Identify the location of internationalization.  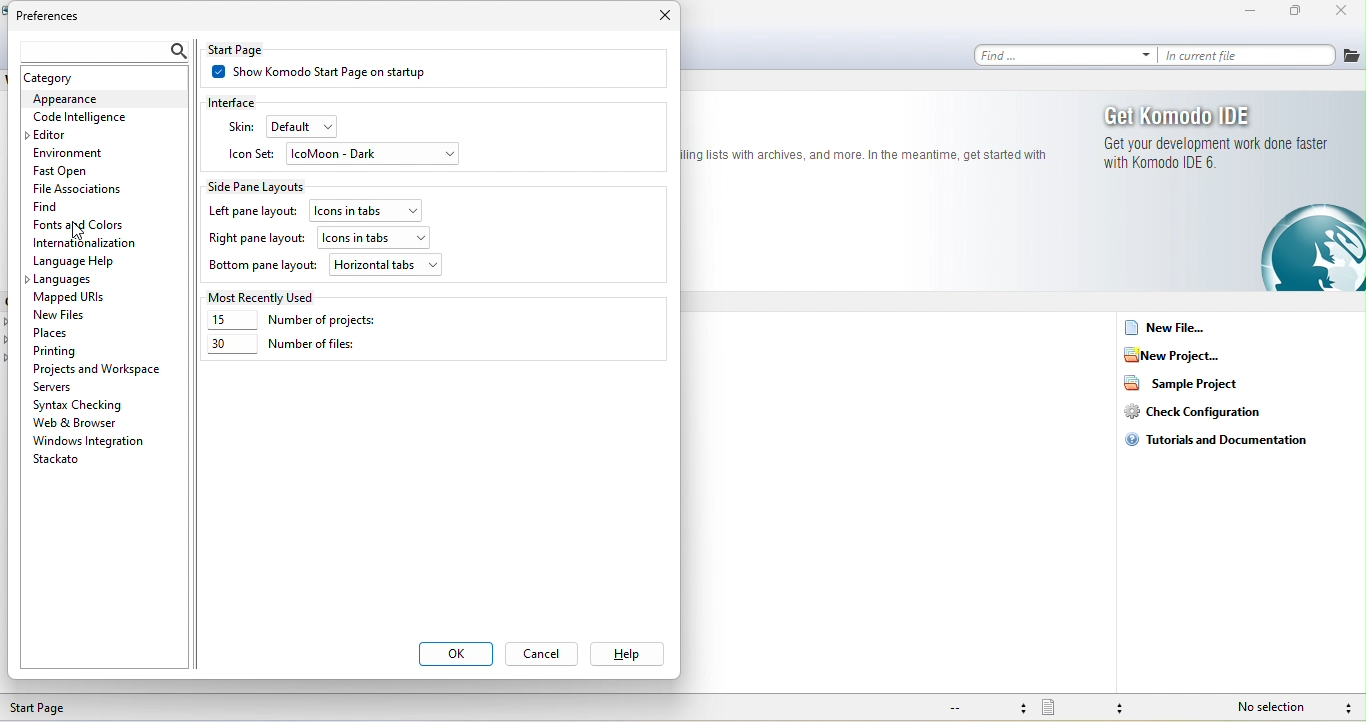
(102, 243).